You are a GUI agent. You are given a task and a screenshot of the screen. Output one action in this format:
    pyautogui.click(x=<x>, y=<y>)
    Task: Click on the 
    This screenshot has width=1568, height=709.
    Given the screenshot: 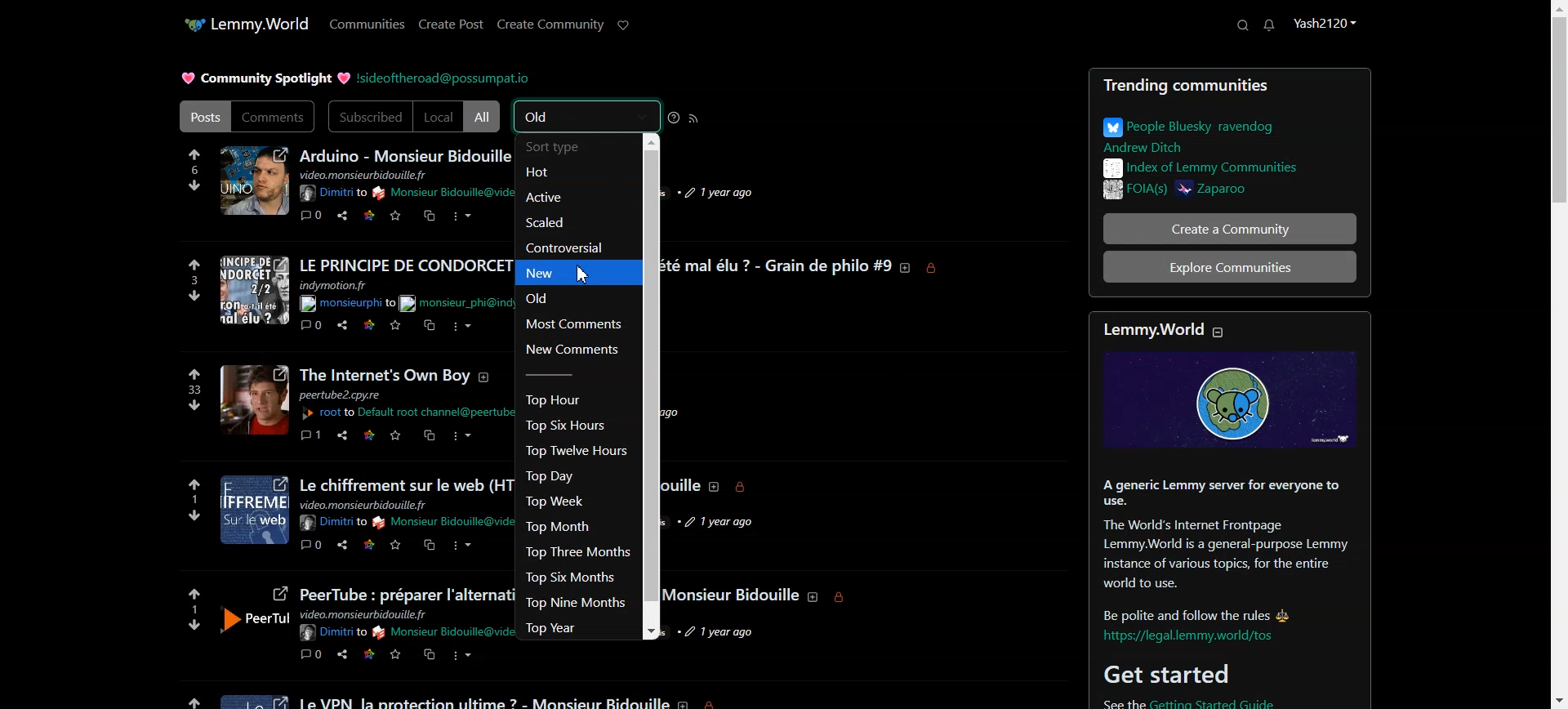 What is the action you would take?
    pyautogui.click(x=394, y=325)
    